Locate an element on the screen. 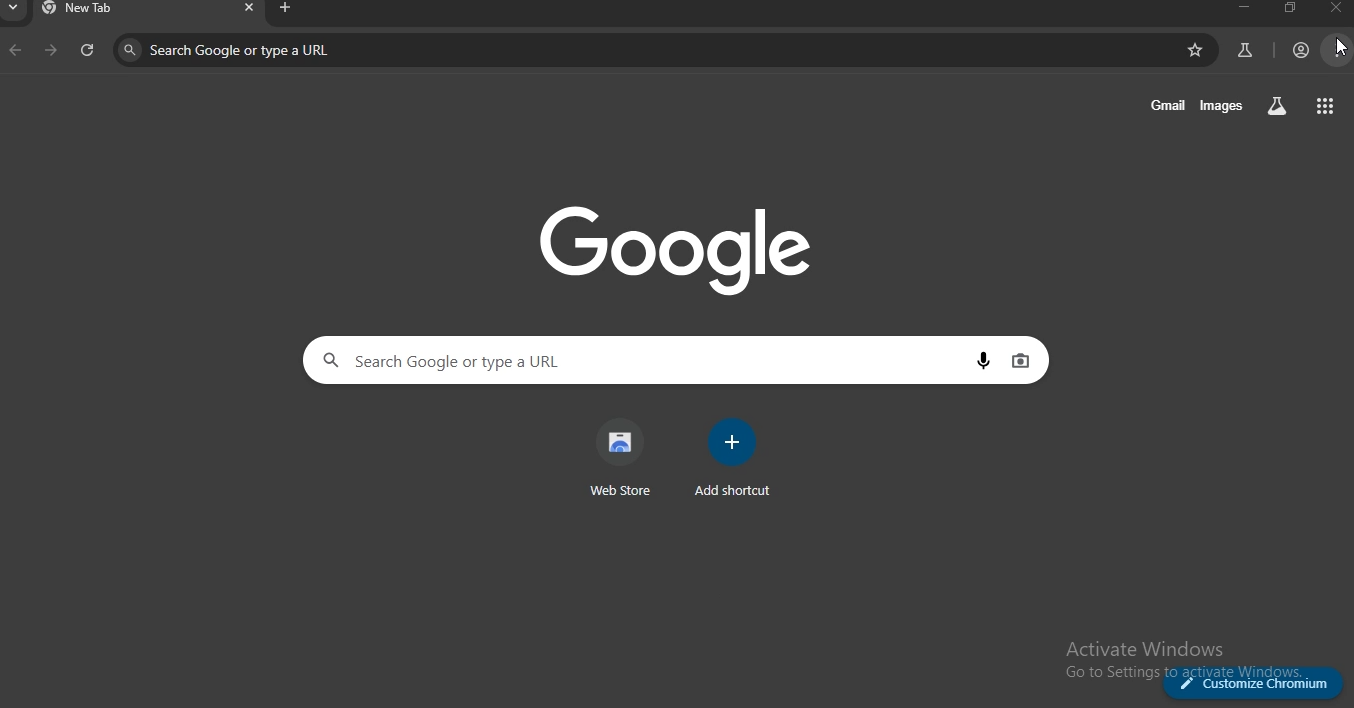 The height and width of the screenshot is (708, 1354). minimize is located at coordinates (1236, 8).